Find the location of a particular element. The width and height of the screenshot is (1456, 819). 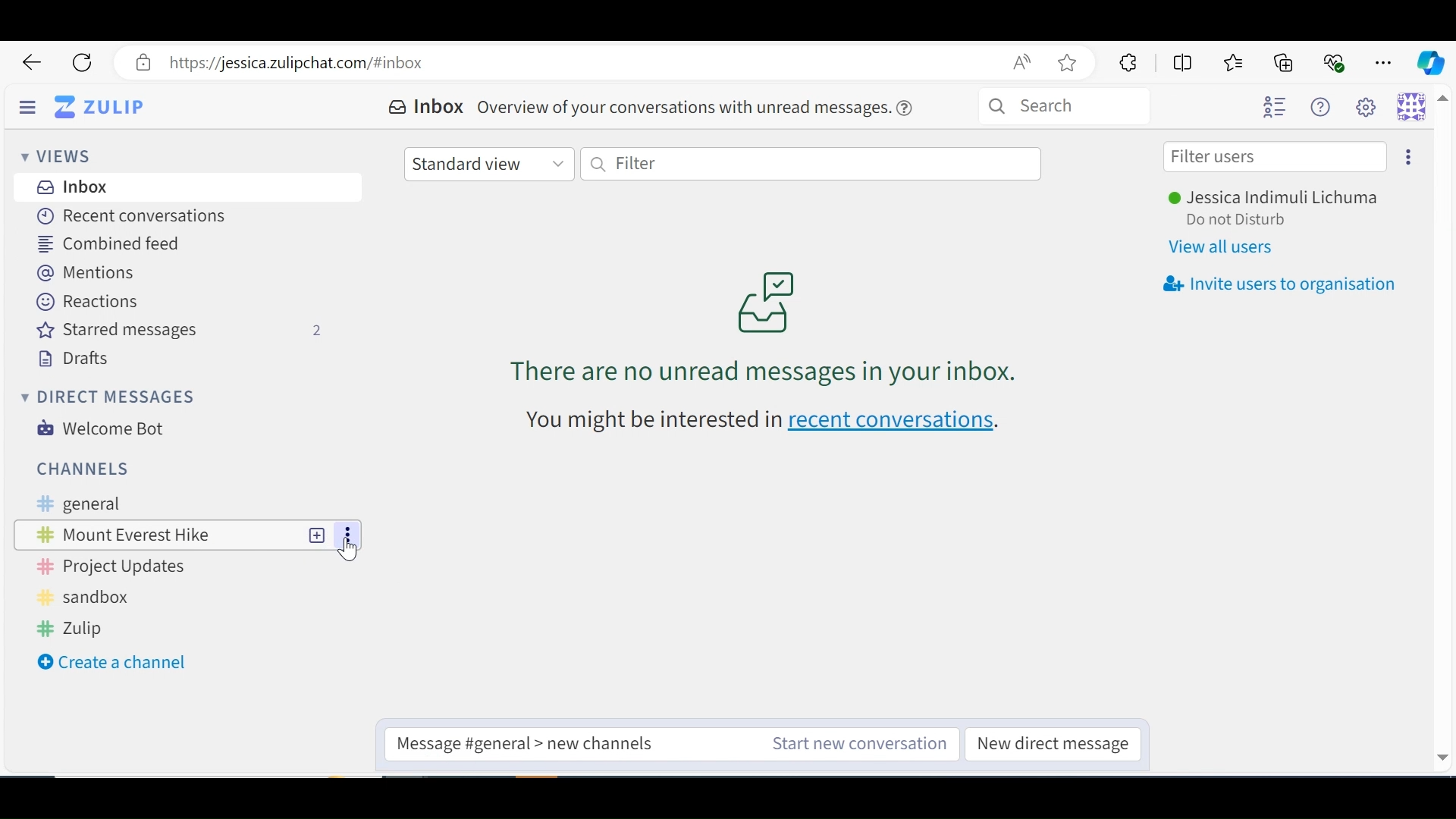

Hide Sidebar is located at coordinates (28, 105).